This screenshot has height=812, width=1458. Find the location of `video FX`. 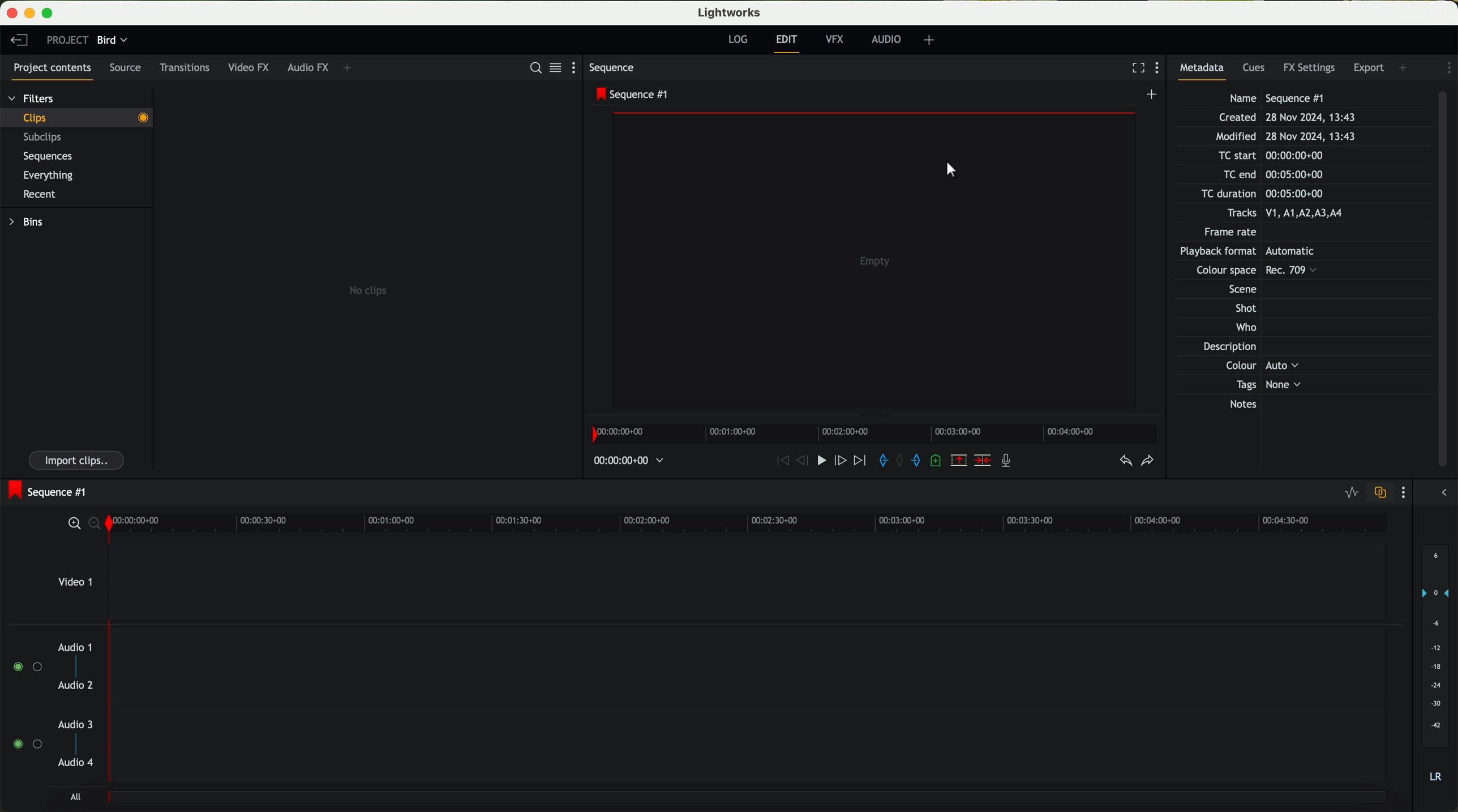

video FX is located at coordinates (251, 67).